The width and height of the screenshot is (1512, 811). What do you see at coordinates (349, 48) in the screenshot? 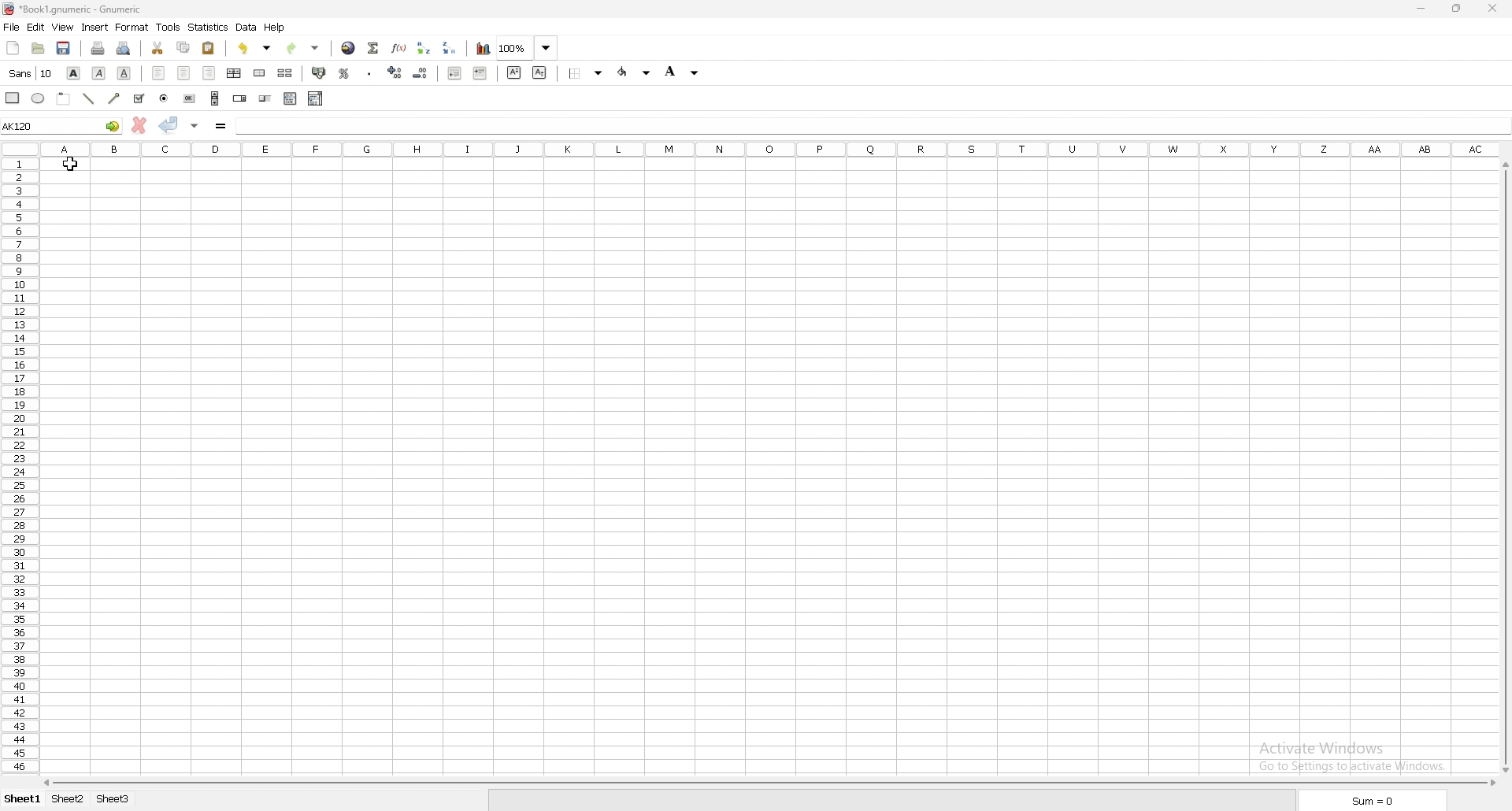
I see `hyperlink` at bounding box center [349, 48].